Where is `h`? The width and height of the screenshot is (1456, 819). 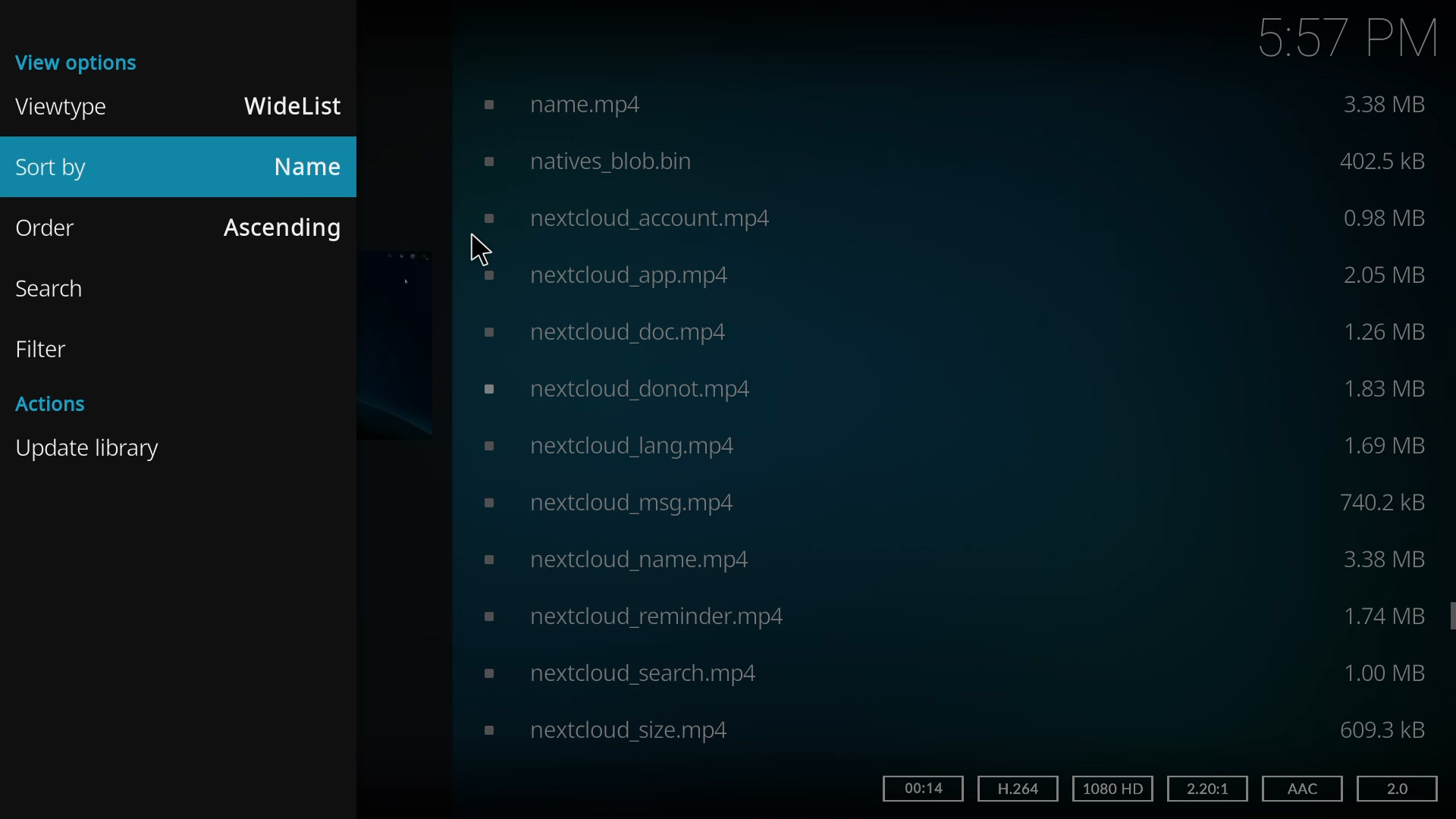 h is located at coordinates (1016, 787).